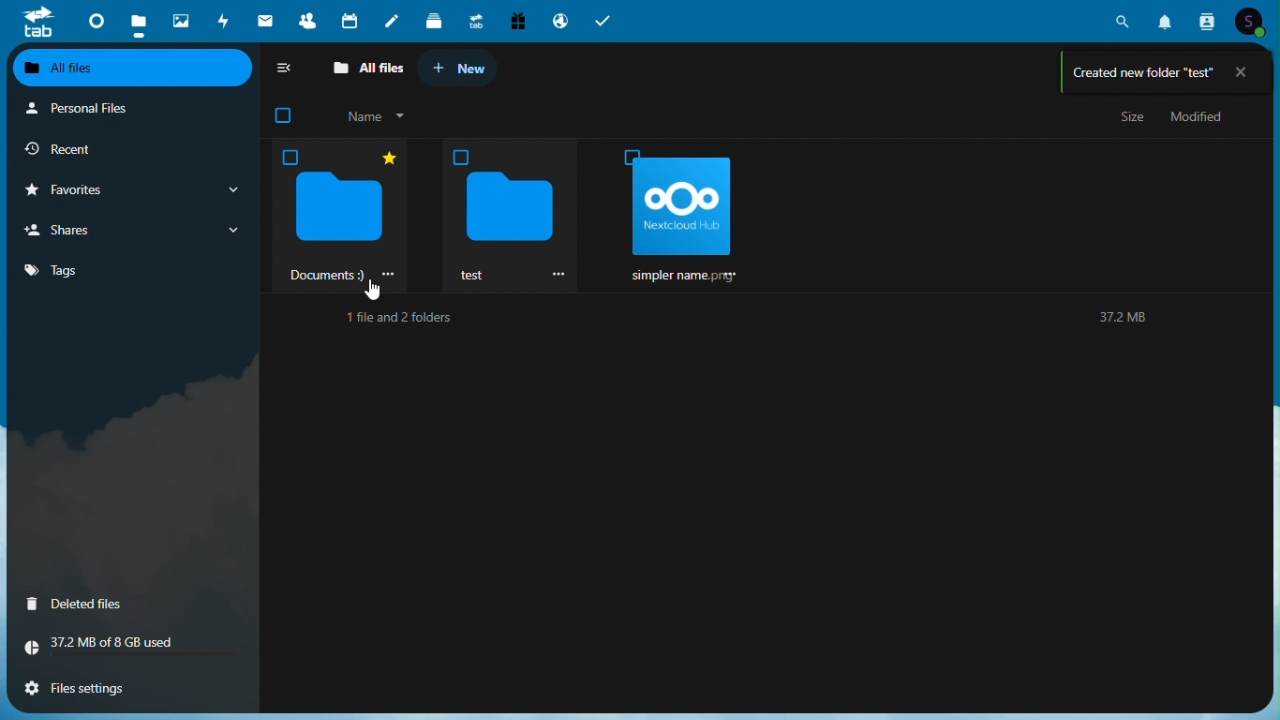  Describe the element at coordinates (129, 108) in the screenshot. I see `Personal files` at that location.